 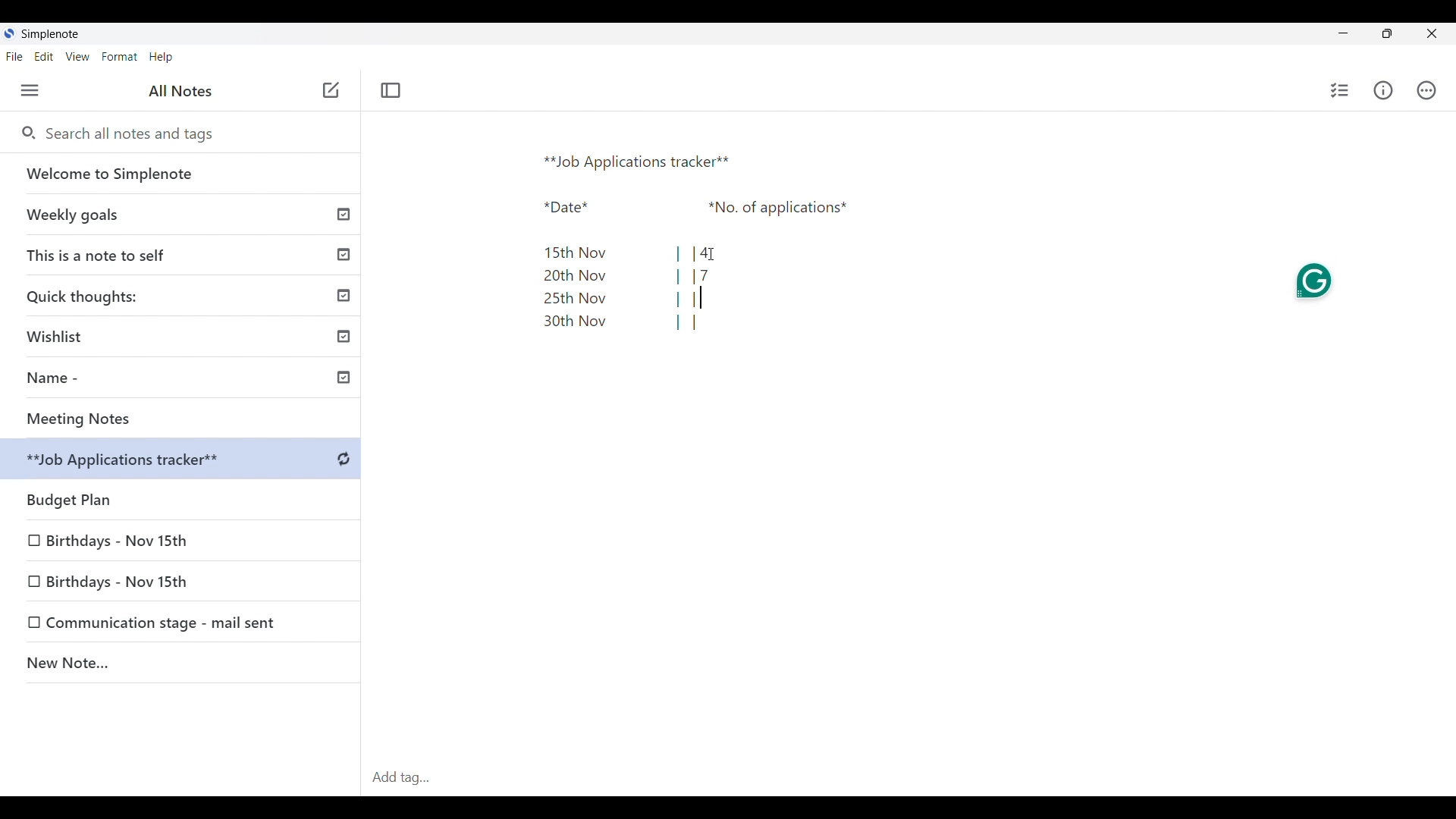 I want to click on Help, so click(x=161, y=58).